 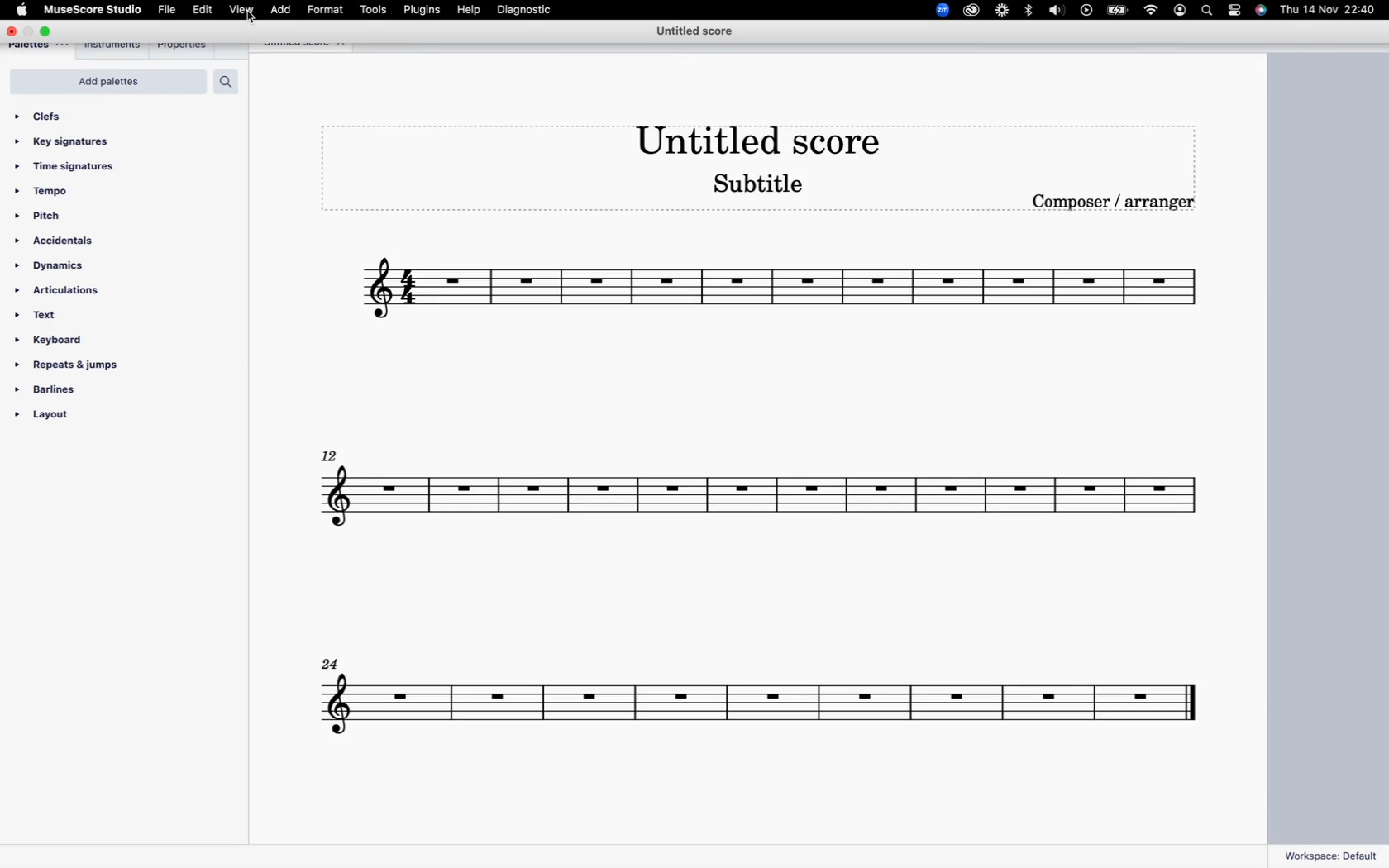 I want to click on cursor, so click(x=253, y=21).